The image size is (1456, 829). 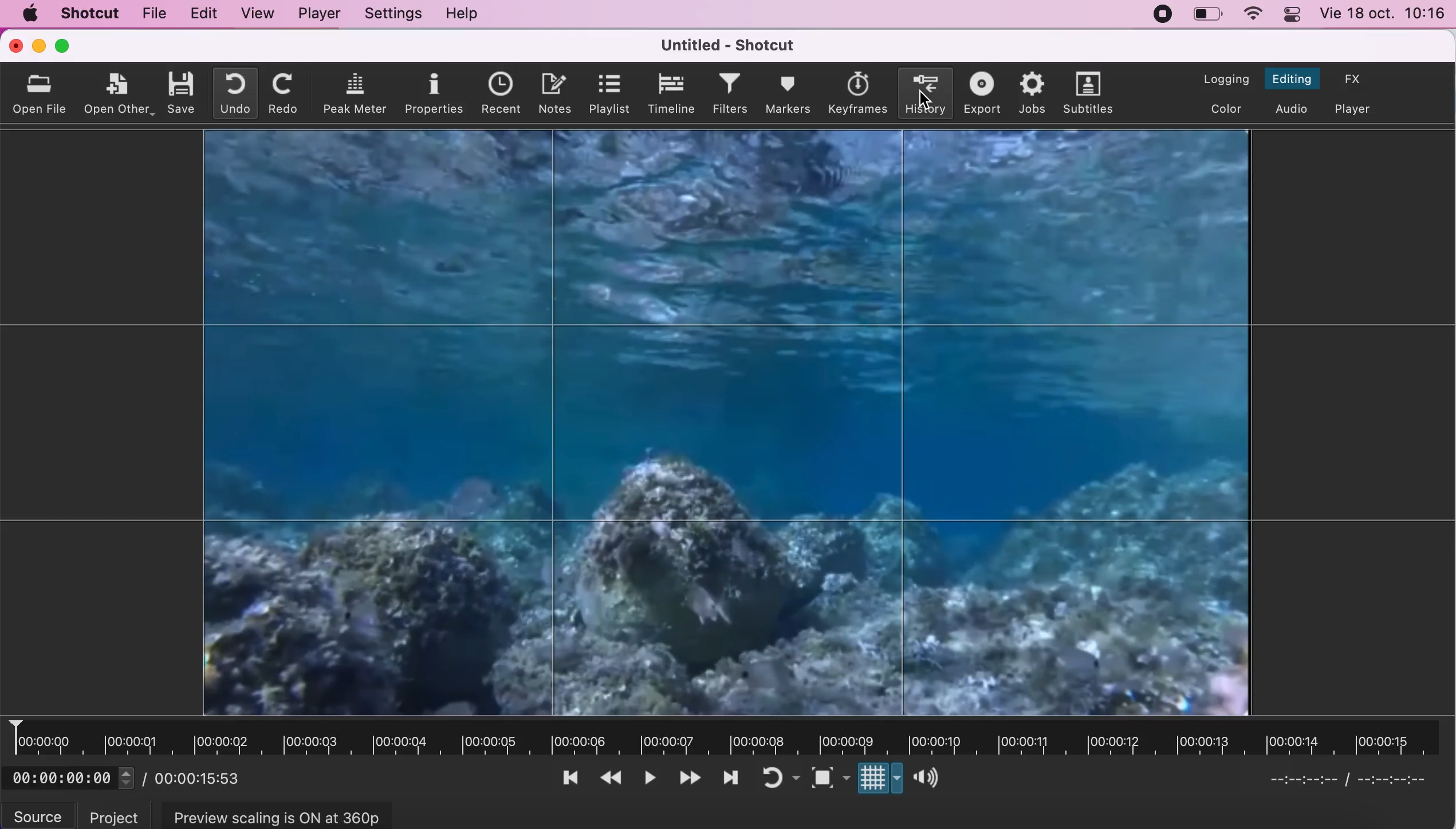 I want to click on switch to the color layout, so click(x=1223, y=109).